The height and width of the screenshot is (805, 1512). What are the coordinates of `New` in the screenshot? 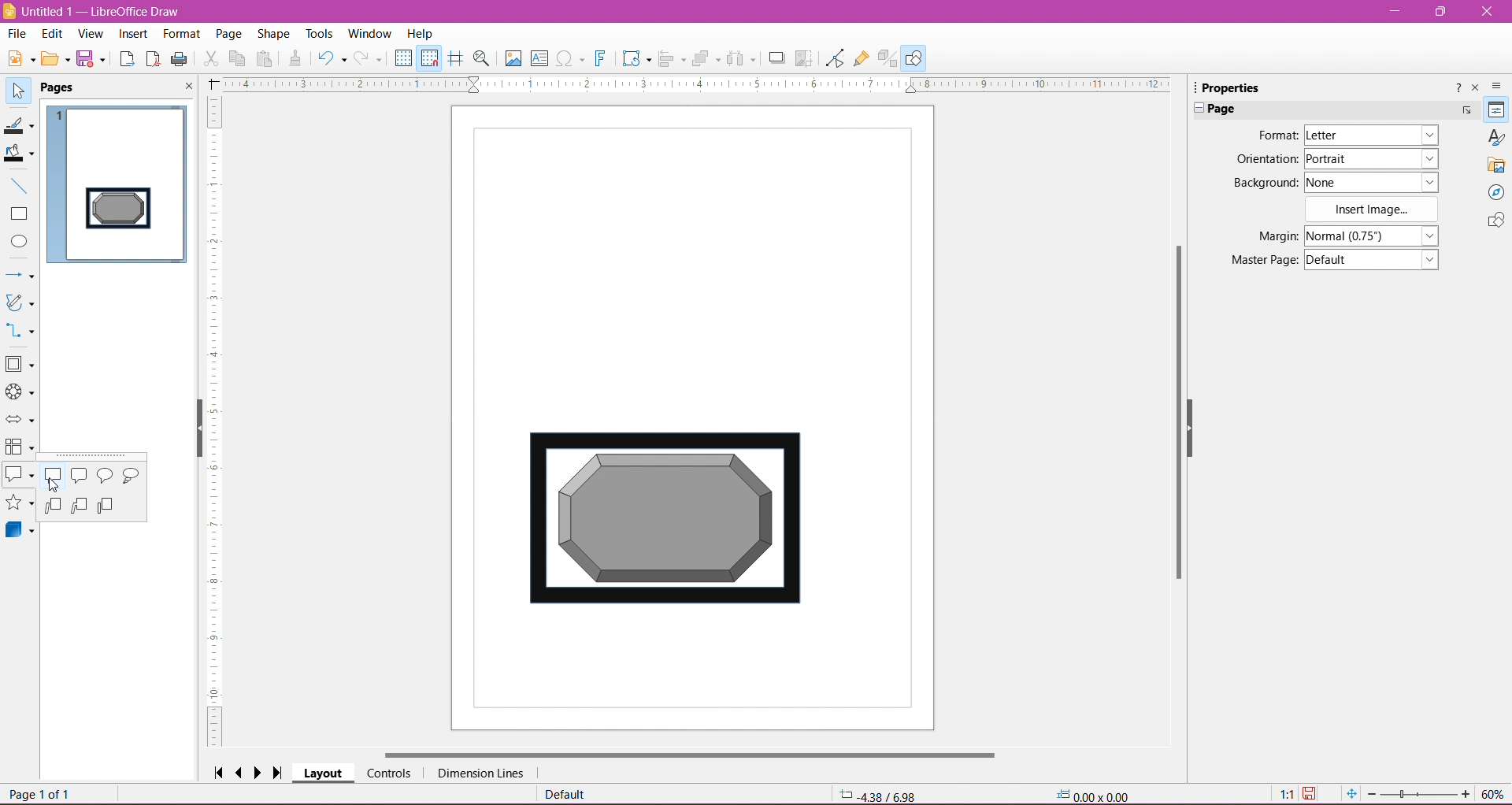 It's located at (18, 57).